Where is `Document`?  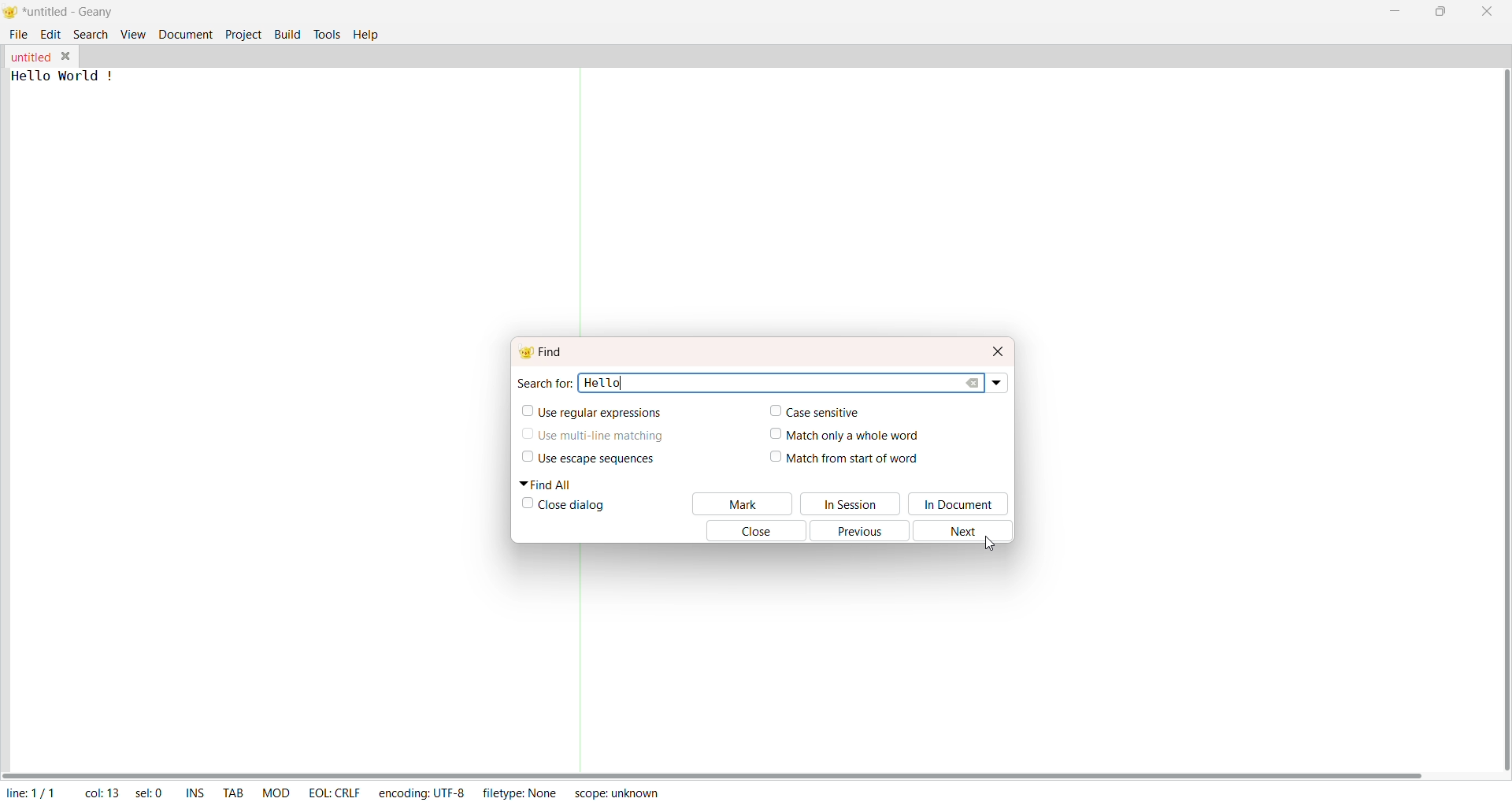
Document is located at coordinates (184, 35).